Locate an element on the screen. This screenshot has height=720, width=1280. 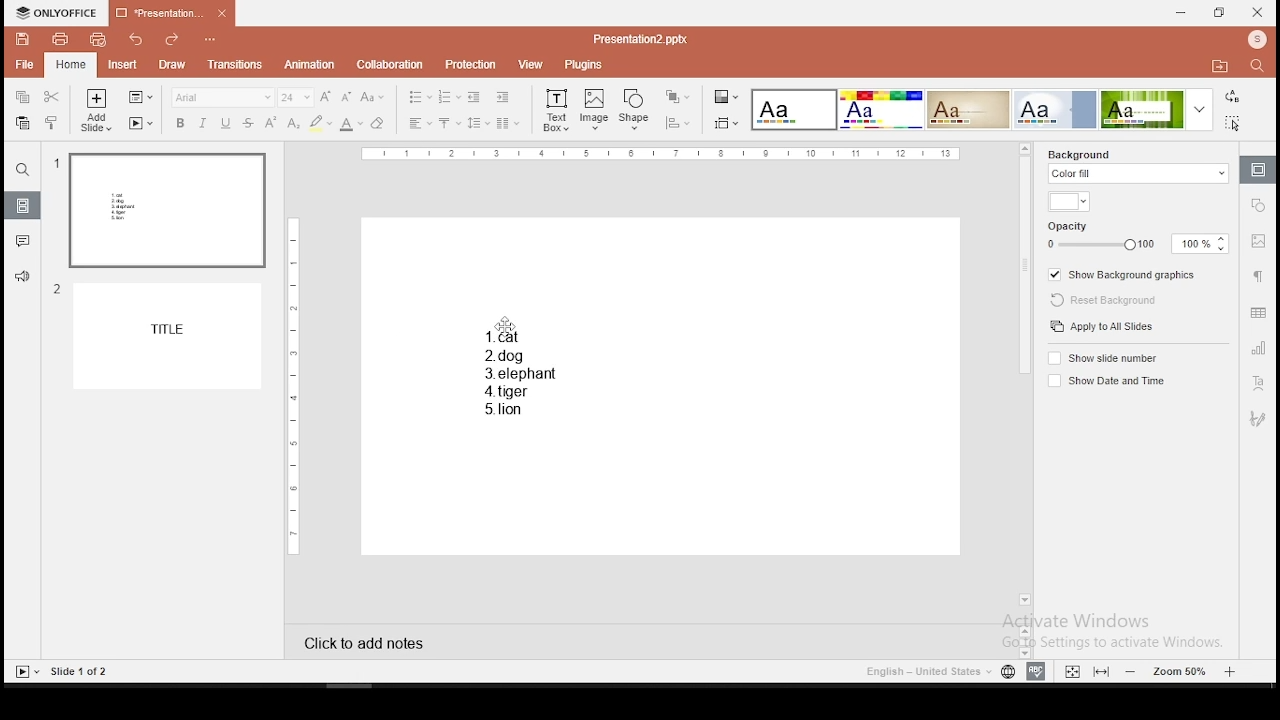
horizontal align is located at coordinates (419, 124).